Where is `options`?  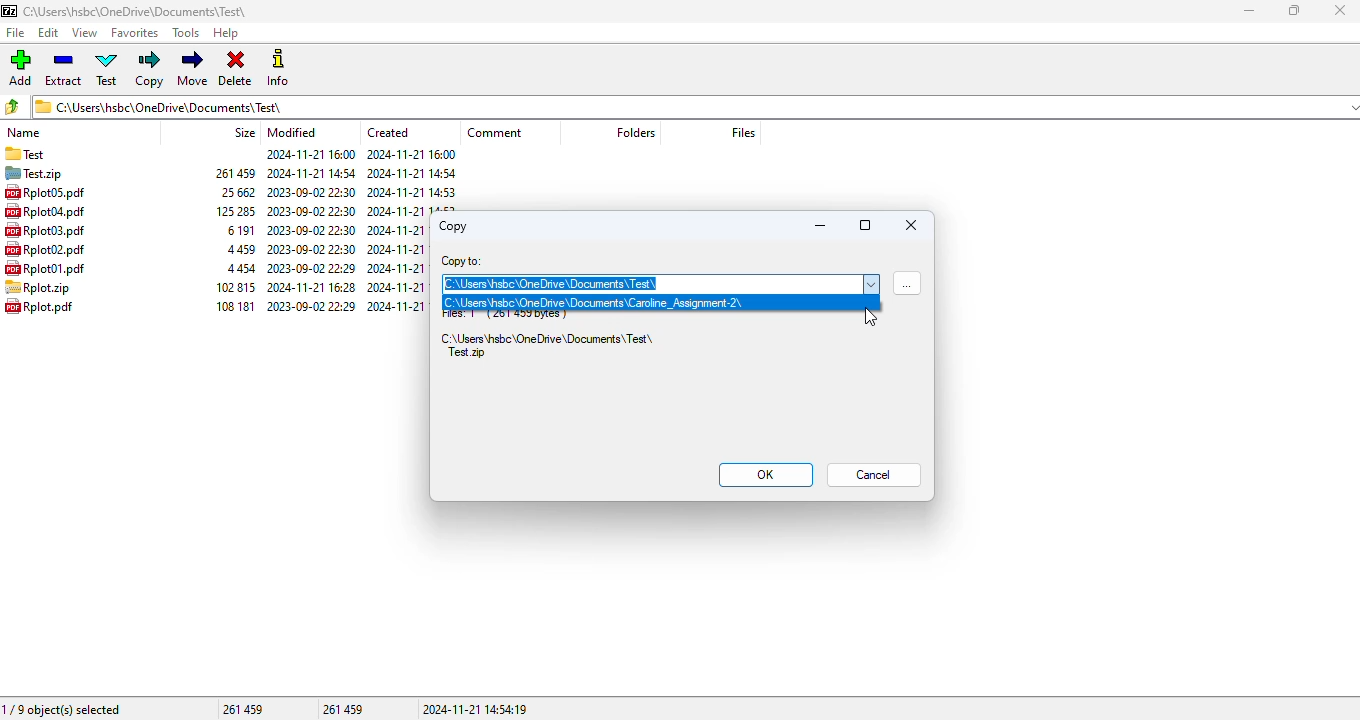
options is located at coordinates (870, 284).